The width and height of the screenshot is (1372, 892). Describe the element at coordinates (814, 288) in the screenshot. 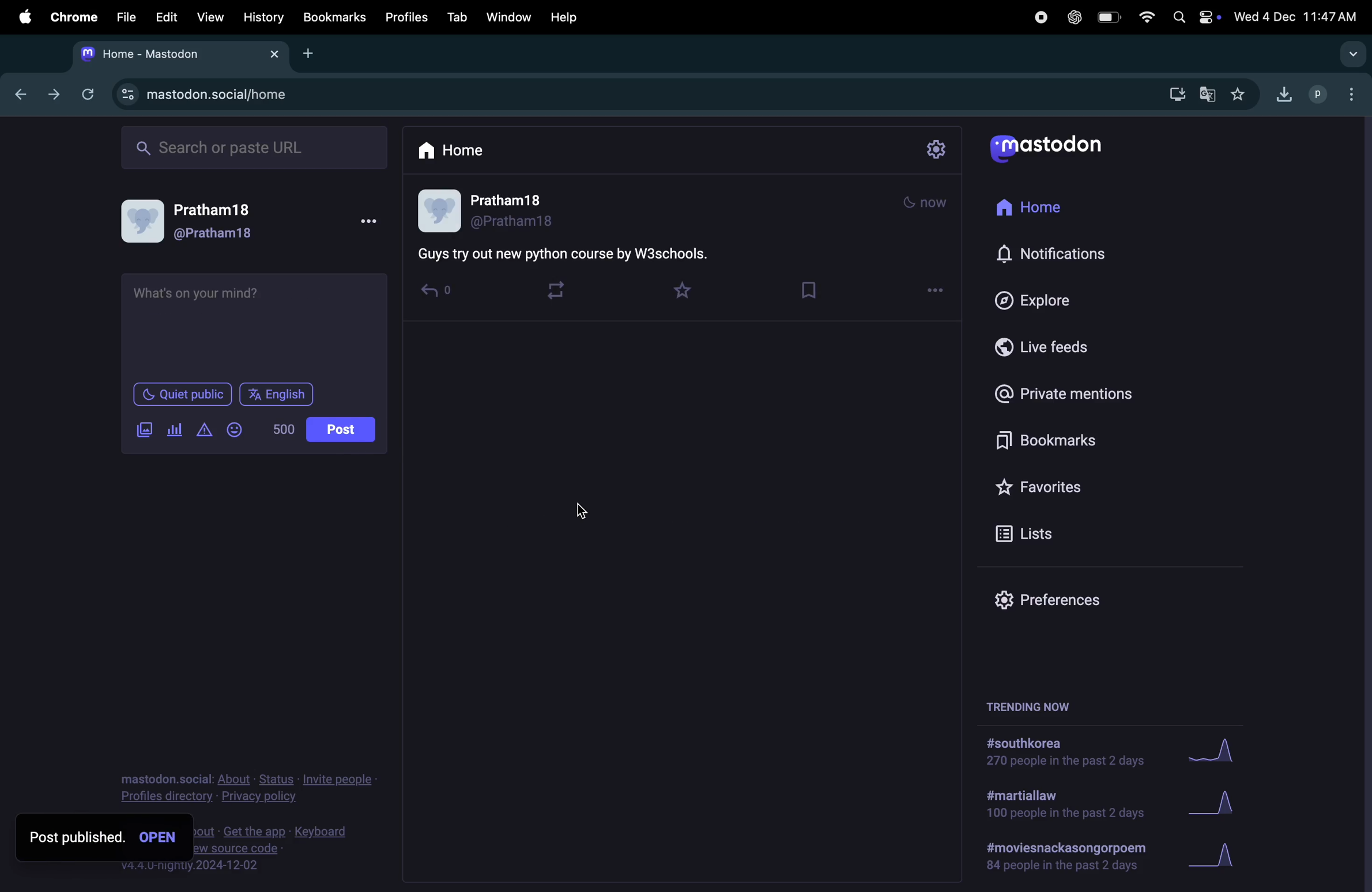

I see `bookmark` at that location.